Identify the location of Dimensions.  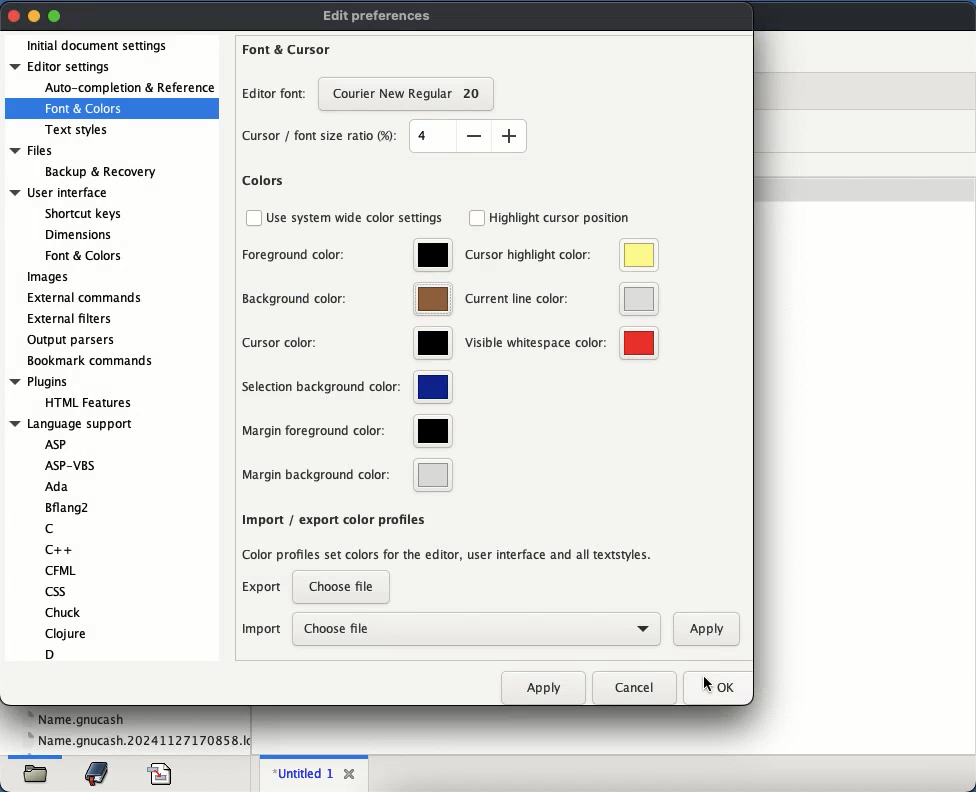
(77, 233).